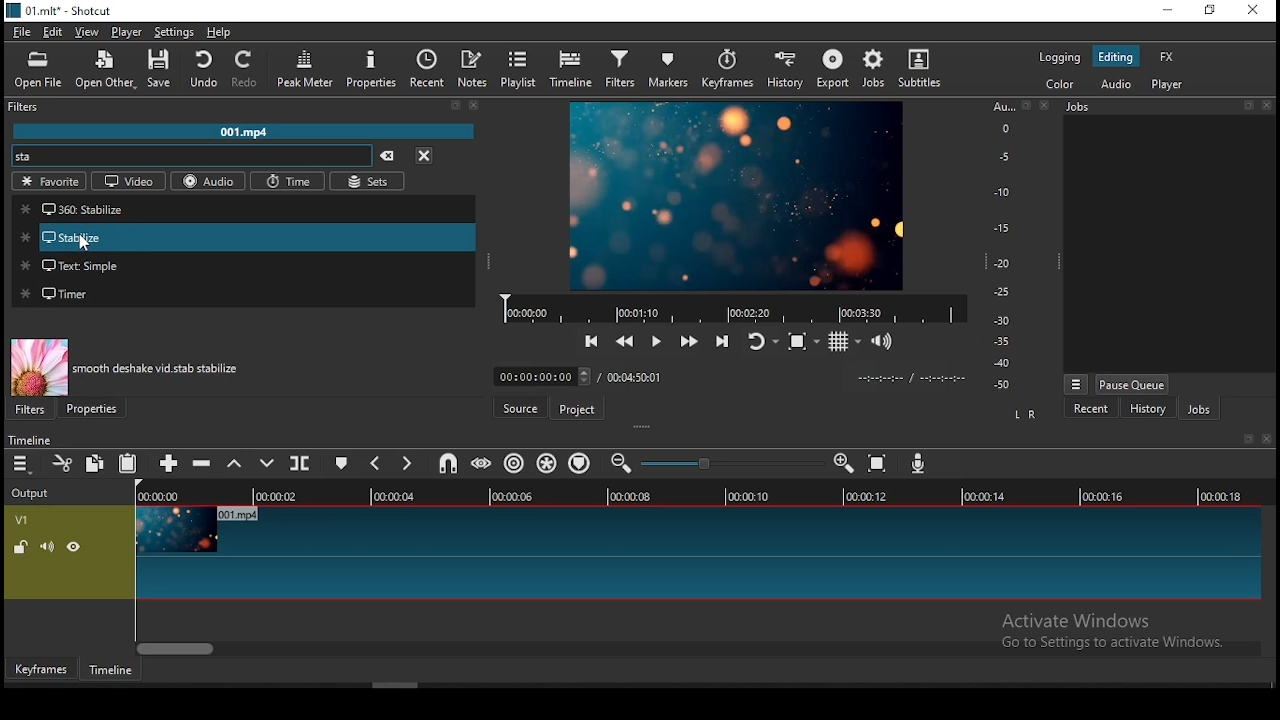 This screenshot has height=720, width=1280. What do you see at coordinates (623, 67) in the screenshot?
I see `filters` at bounding box center [623, 67].